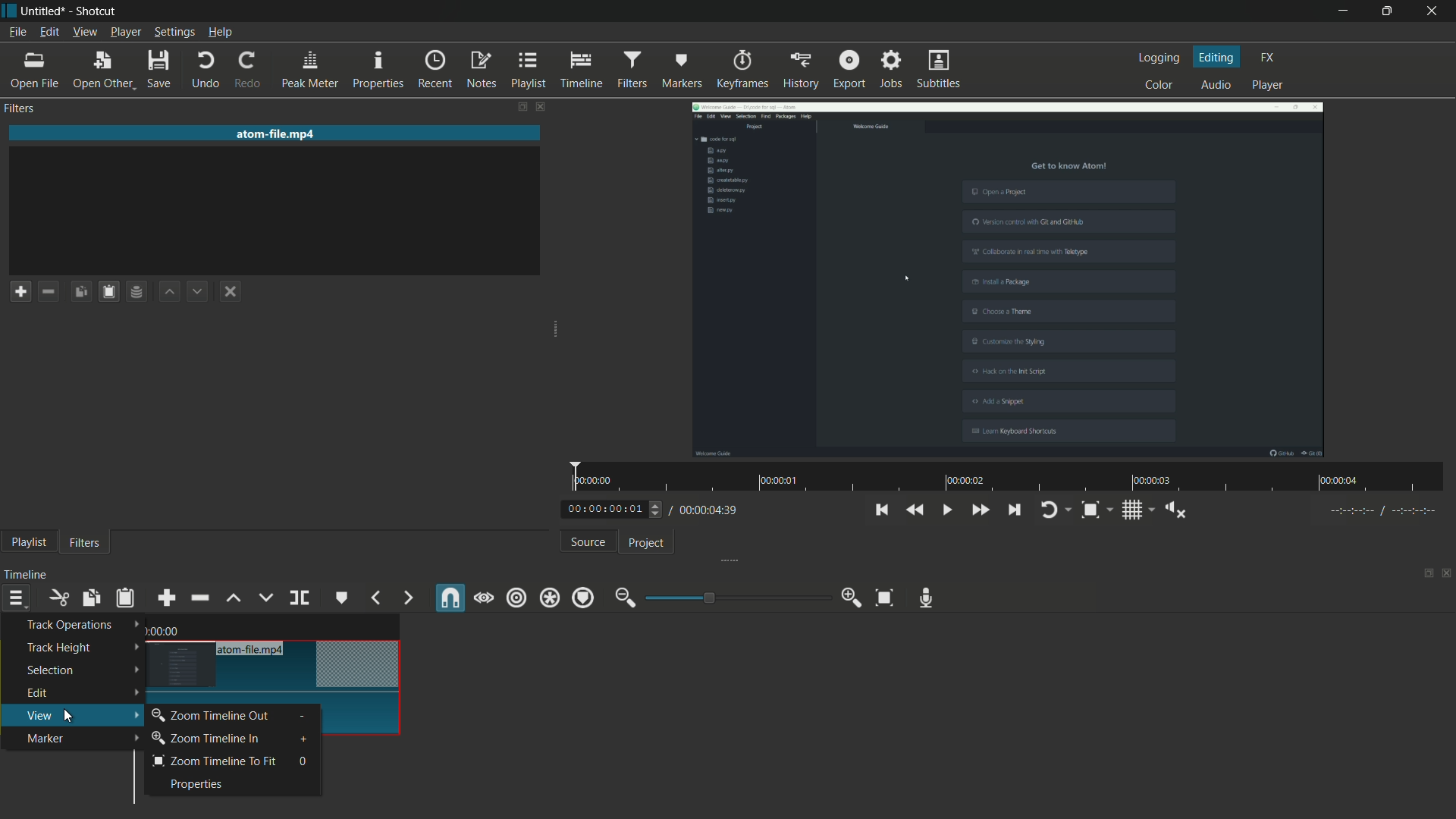 The height and width of the screenshot is (819, 1456). What do you see at coordinates (306, 763) in the screenshot?
I see `0` at bounding box center [306, 763].